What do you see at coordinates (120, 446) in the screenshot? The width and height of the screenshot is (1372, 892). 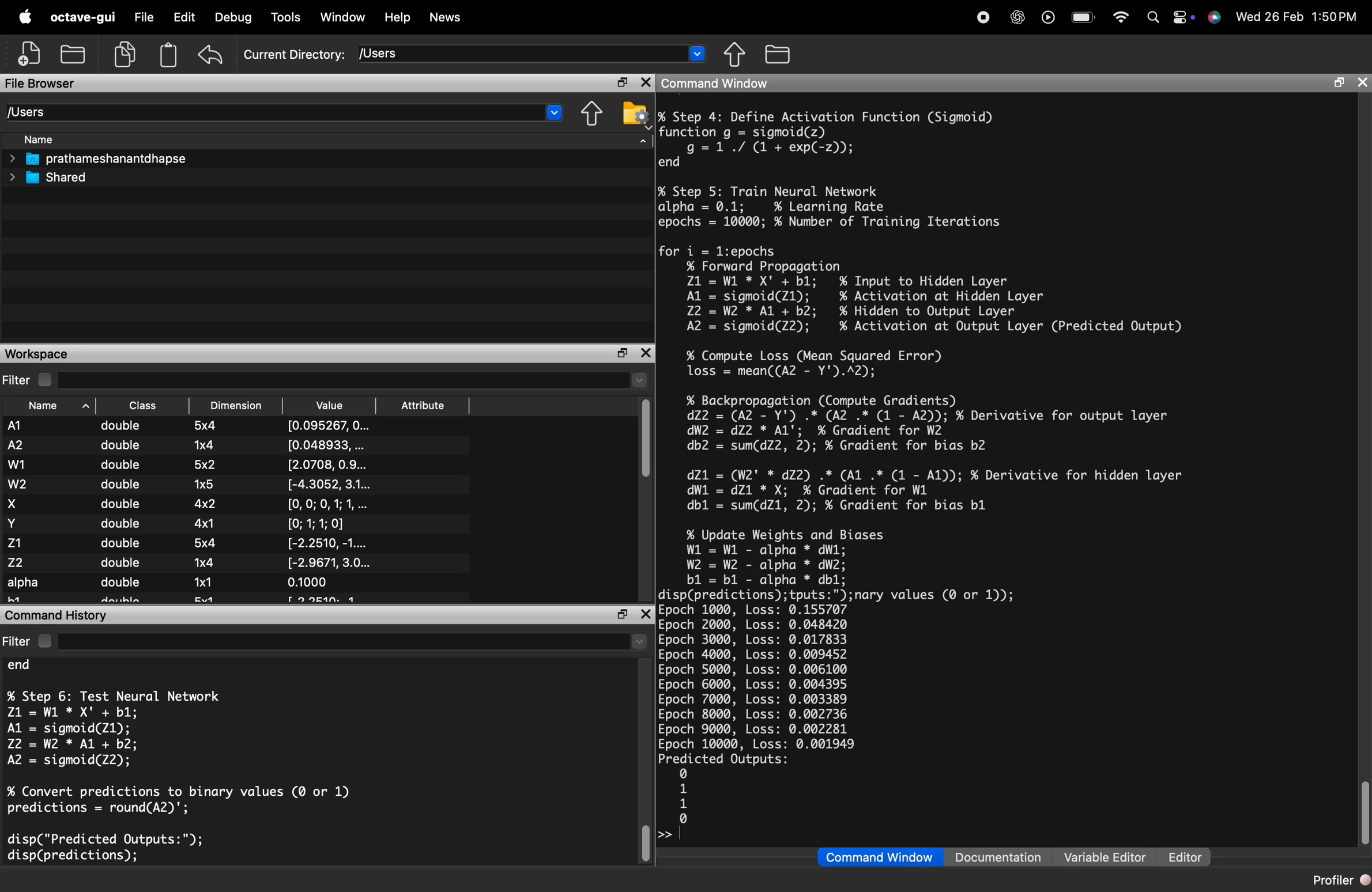 I see `double` at bounding box center [120, 446].